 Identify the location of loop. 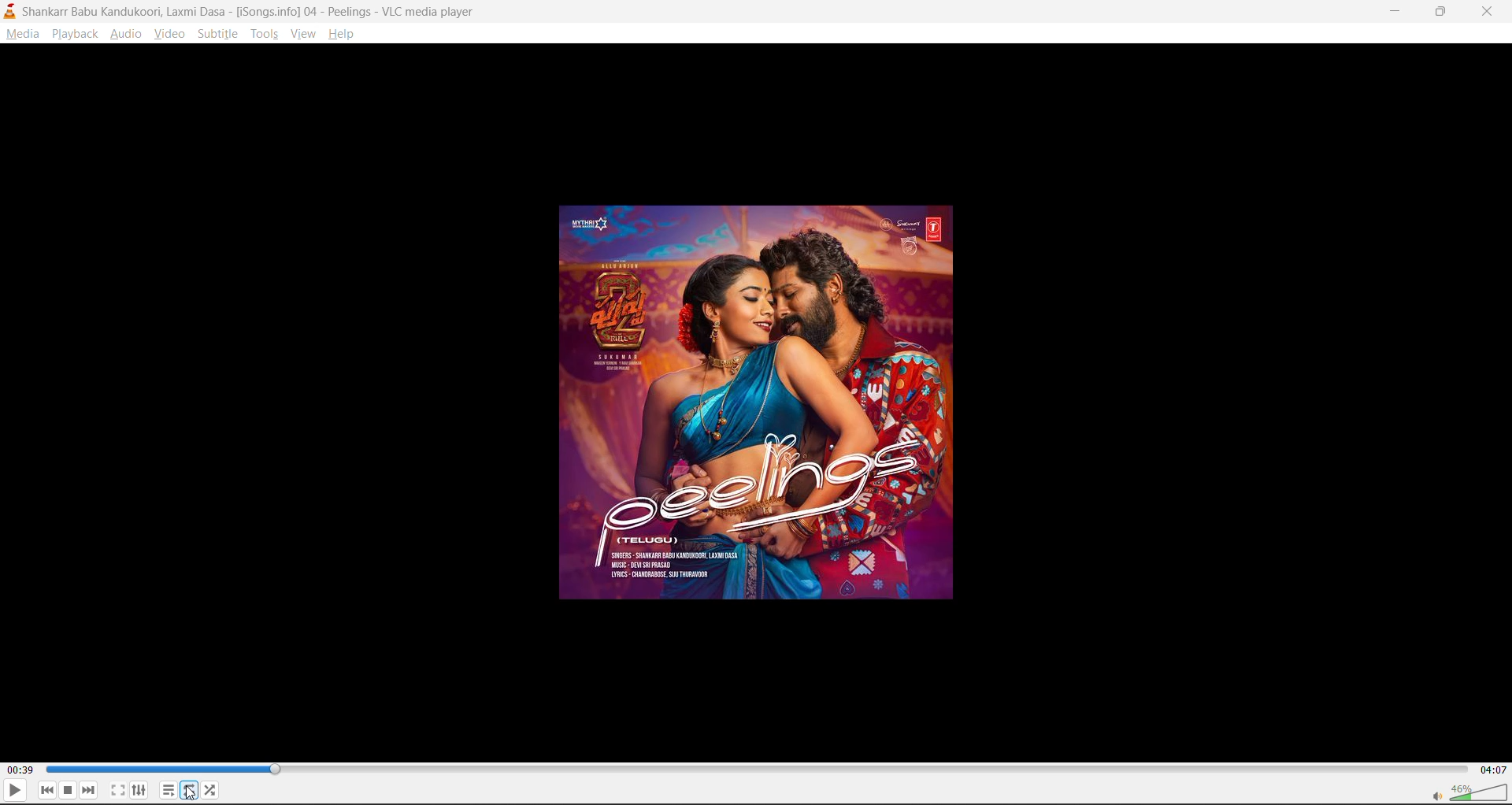
(190, 789).